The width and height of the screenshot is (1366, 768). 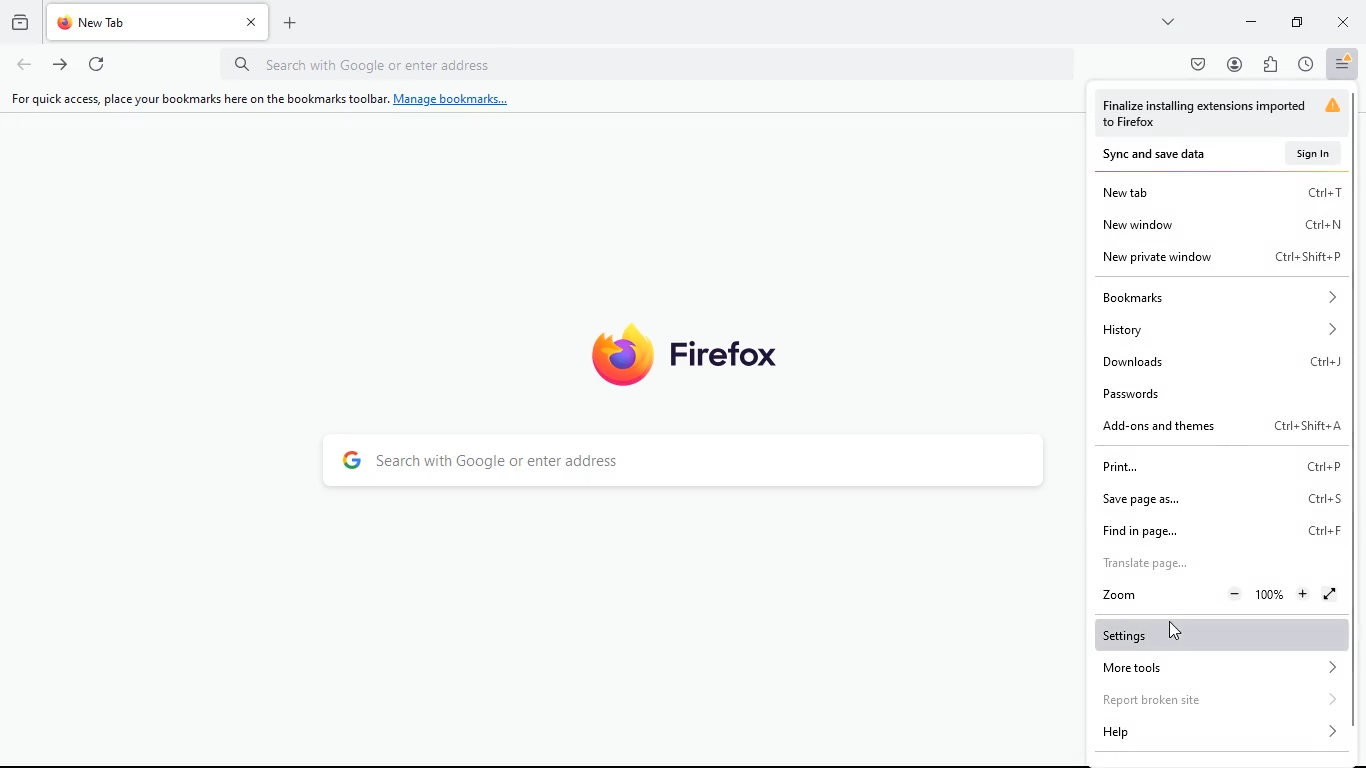 What do you see at coordinates (1251, 21) in the screenshot?
I see `minimize` at bounding box center [1251, 21].